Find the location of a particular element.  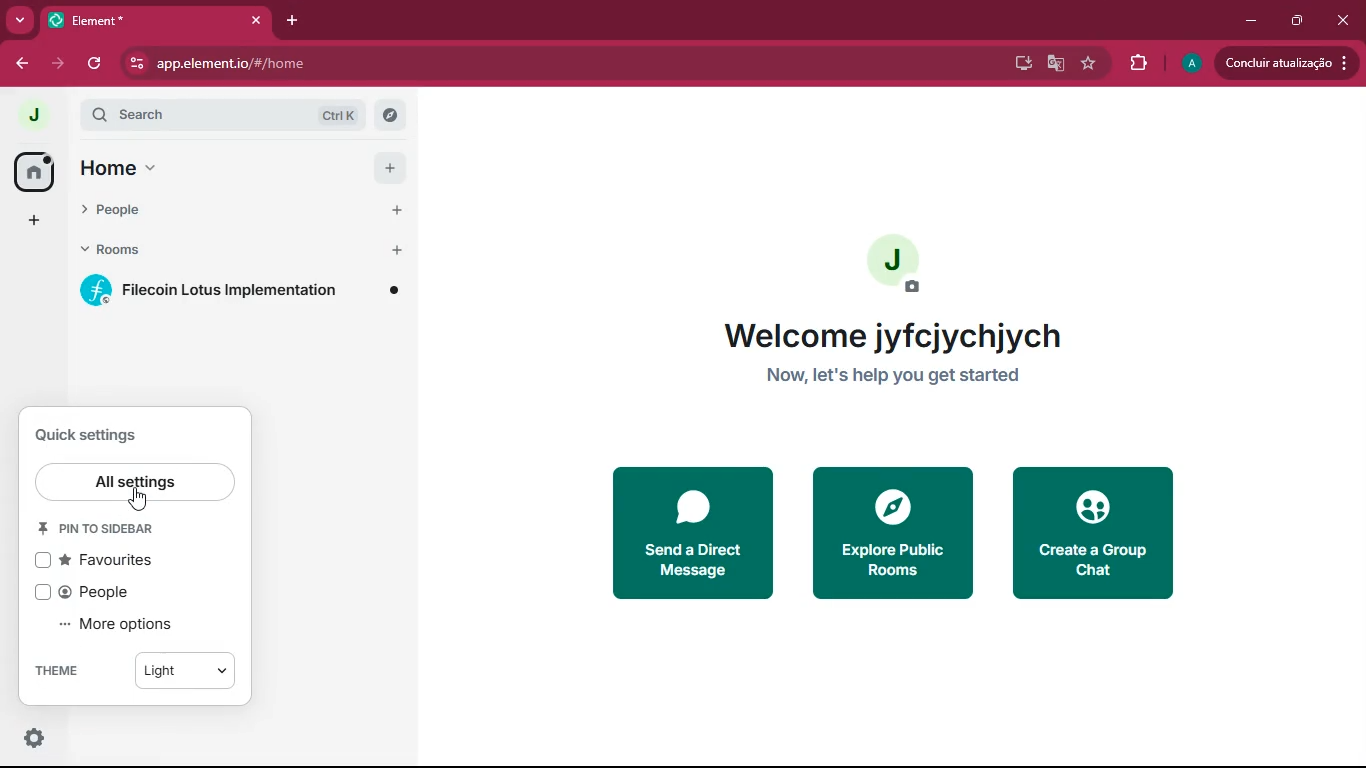

quick settings is located at coordinates (34, 737).